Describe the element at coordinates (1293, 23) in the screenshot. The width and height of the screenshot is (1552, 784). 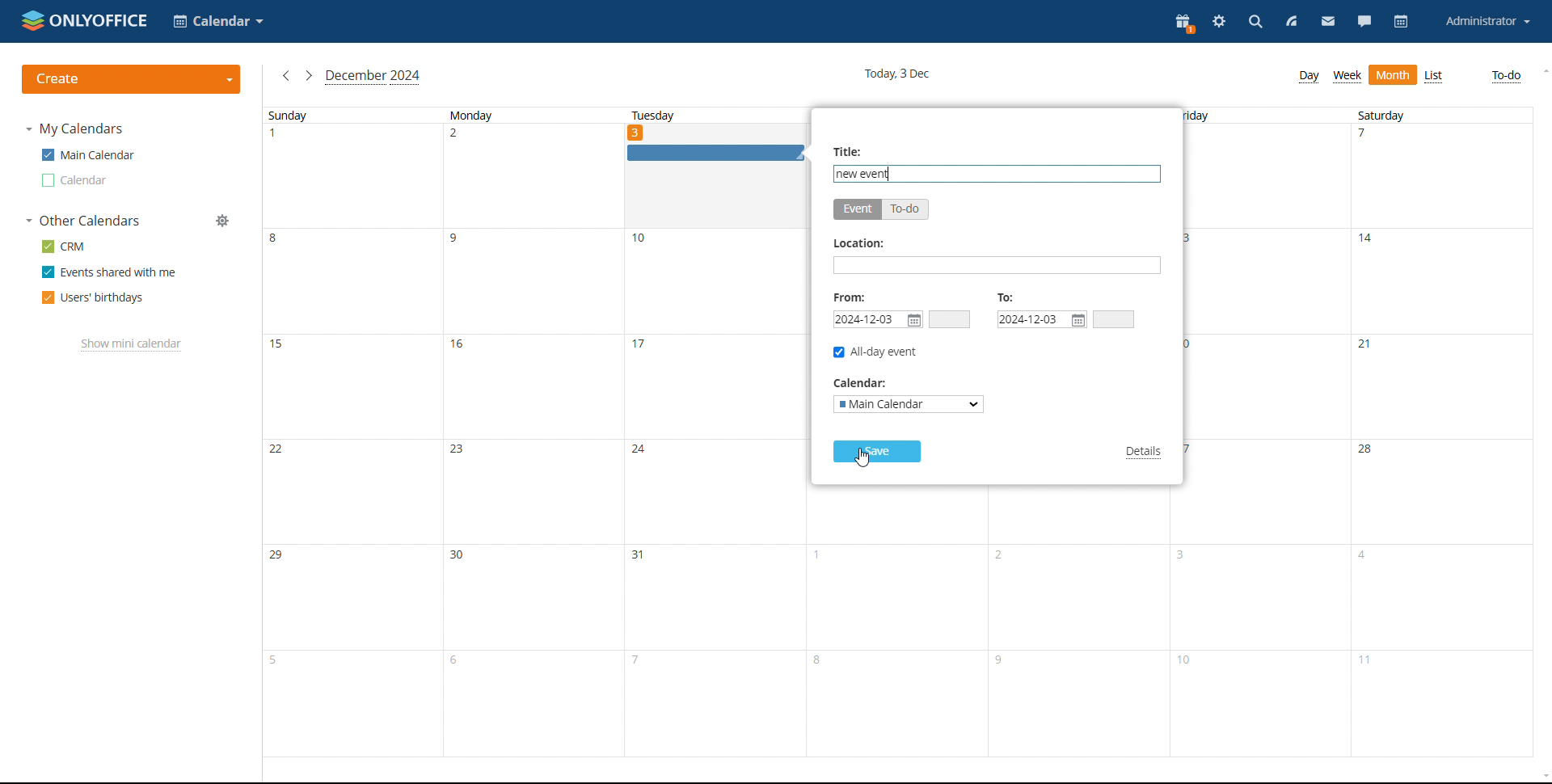
I see `feed` at that location.